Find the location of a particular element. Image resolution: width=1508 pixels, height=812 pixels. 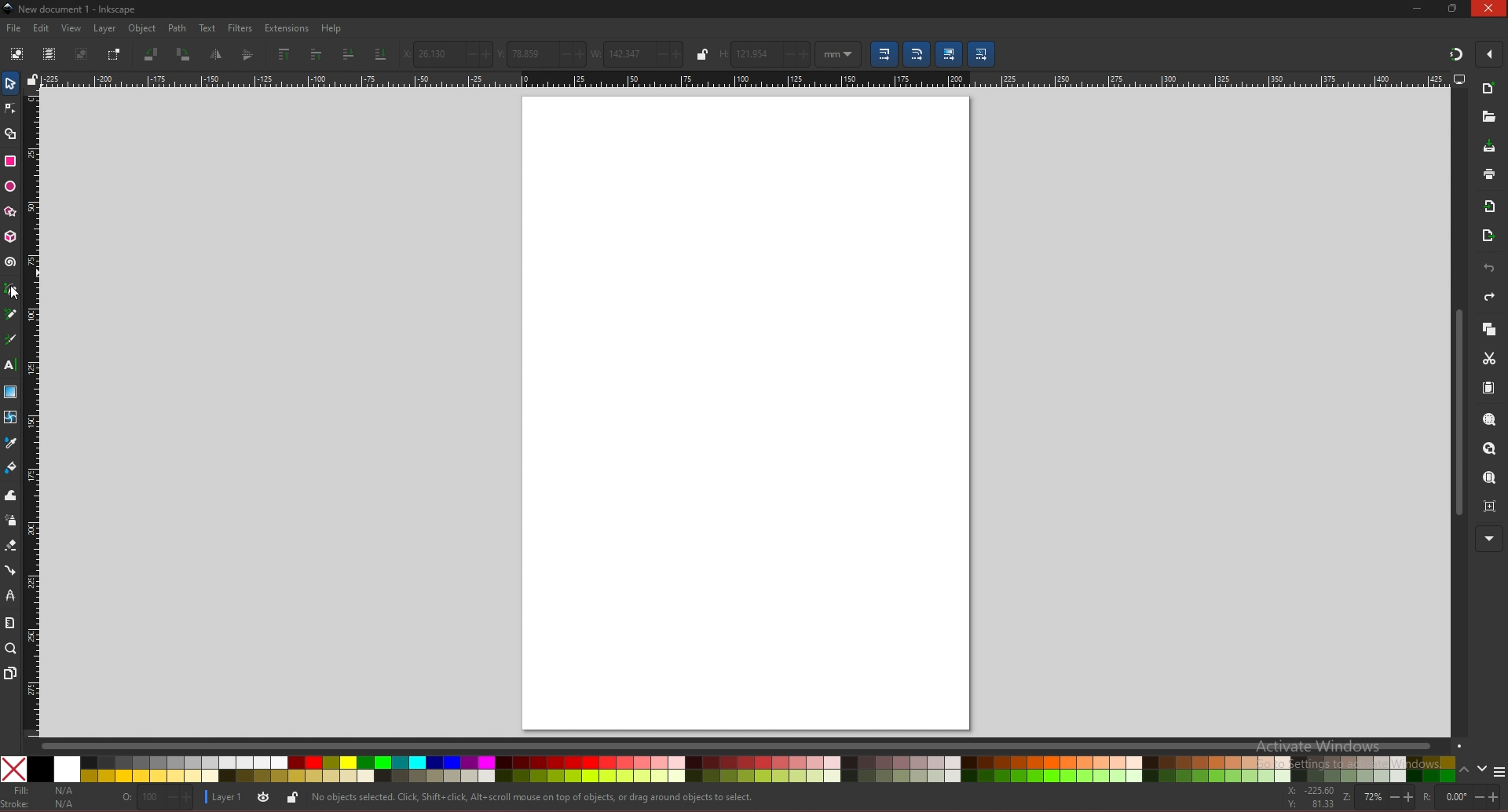

lock is located at coordinates (703, 54).